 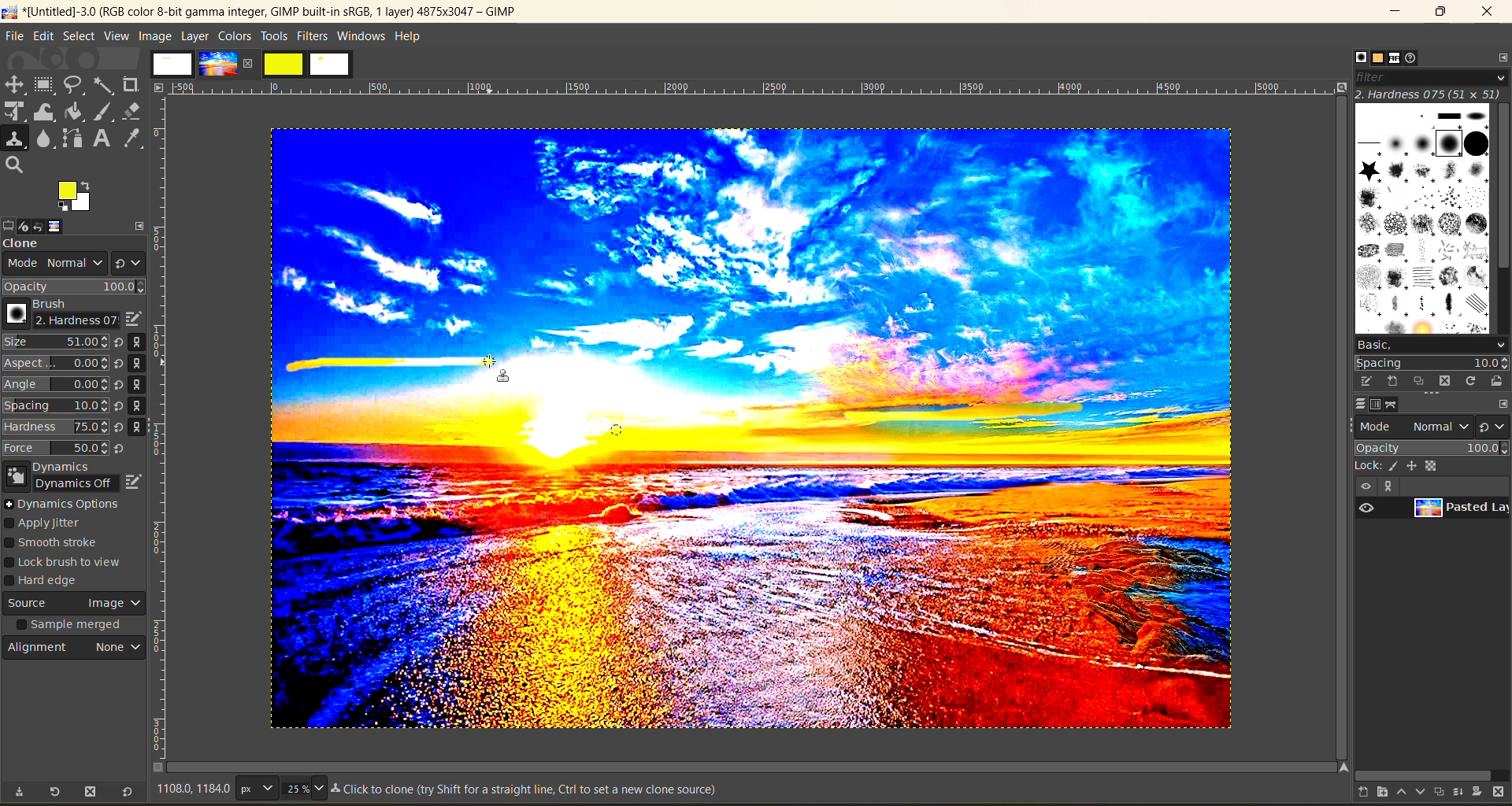 I want to click on channels, so click(x=1378, y=405).